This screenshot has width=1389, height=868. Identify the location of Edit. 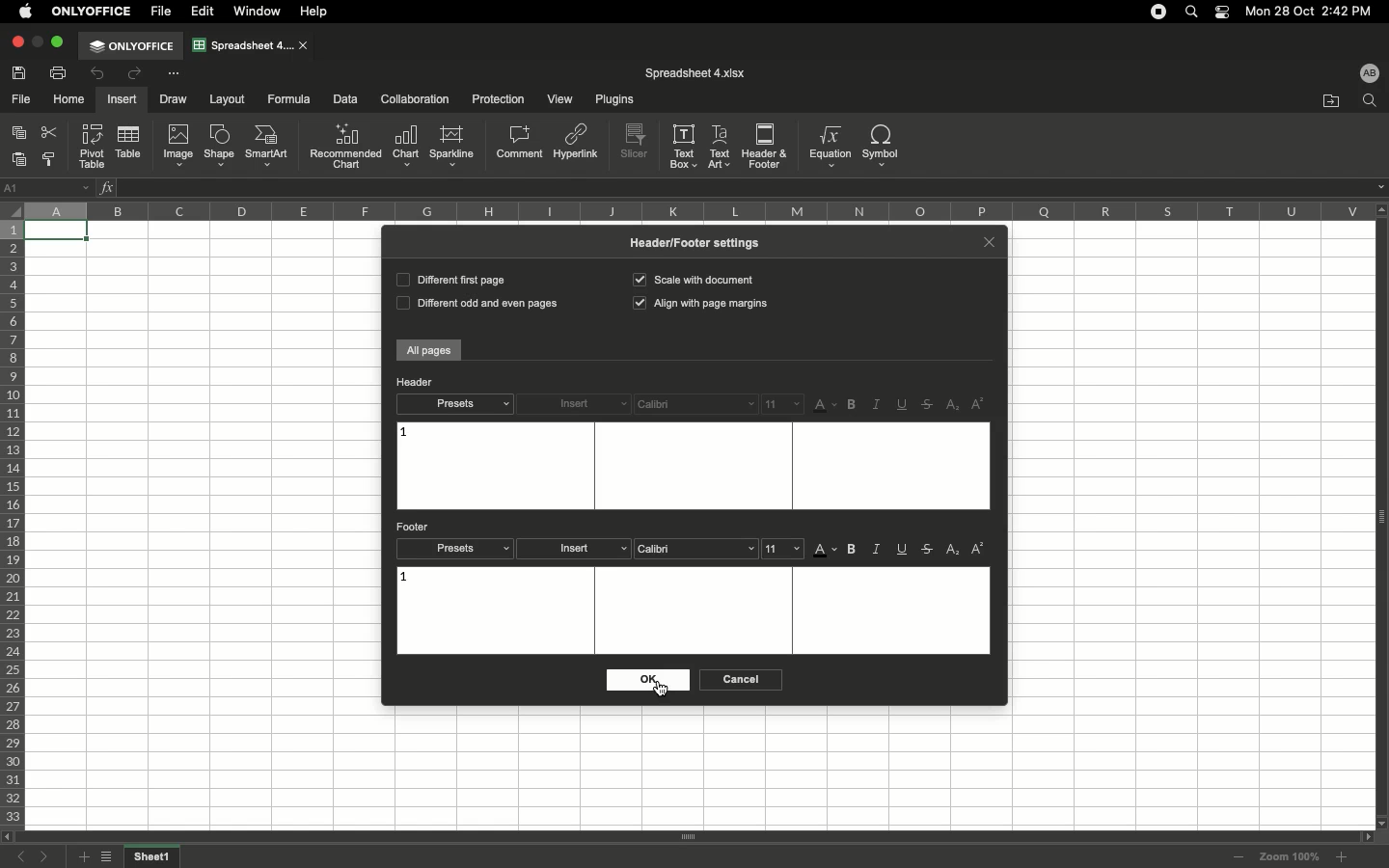
(204, 12).